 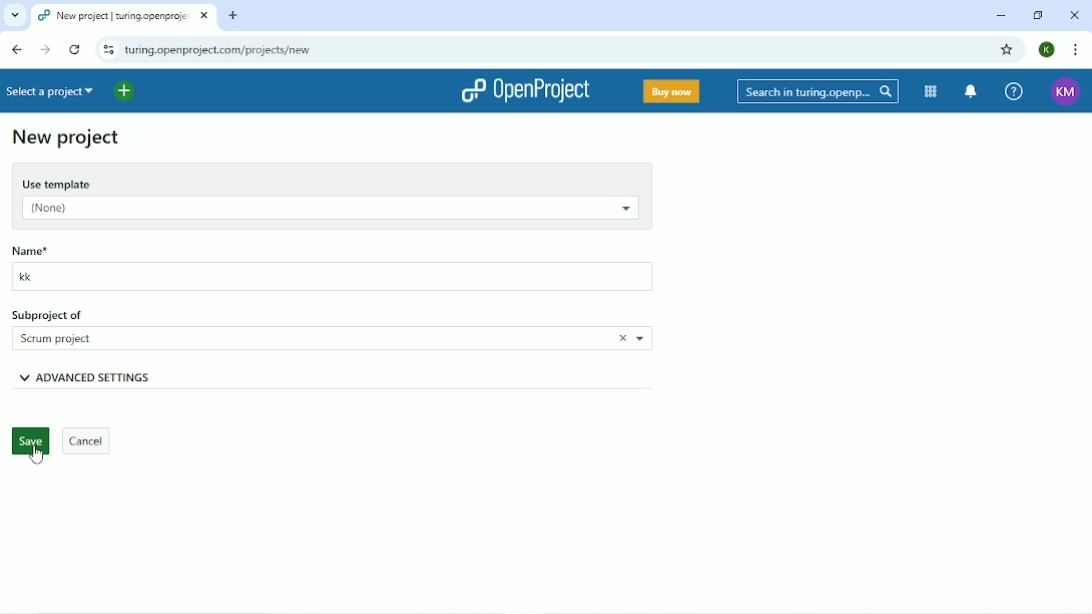 I want to click on Name*, so click(x=61, y=248).